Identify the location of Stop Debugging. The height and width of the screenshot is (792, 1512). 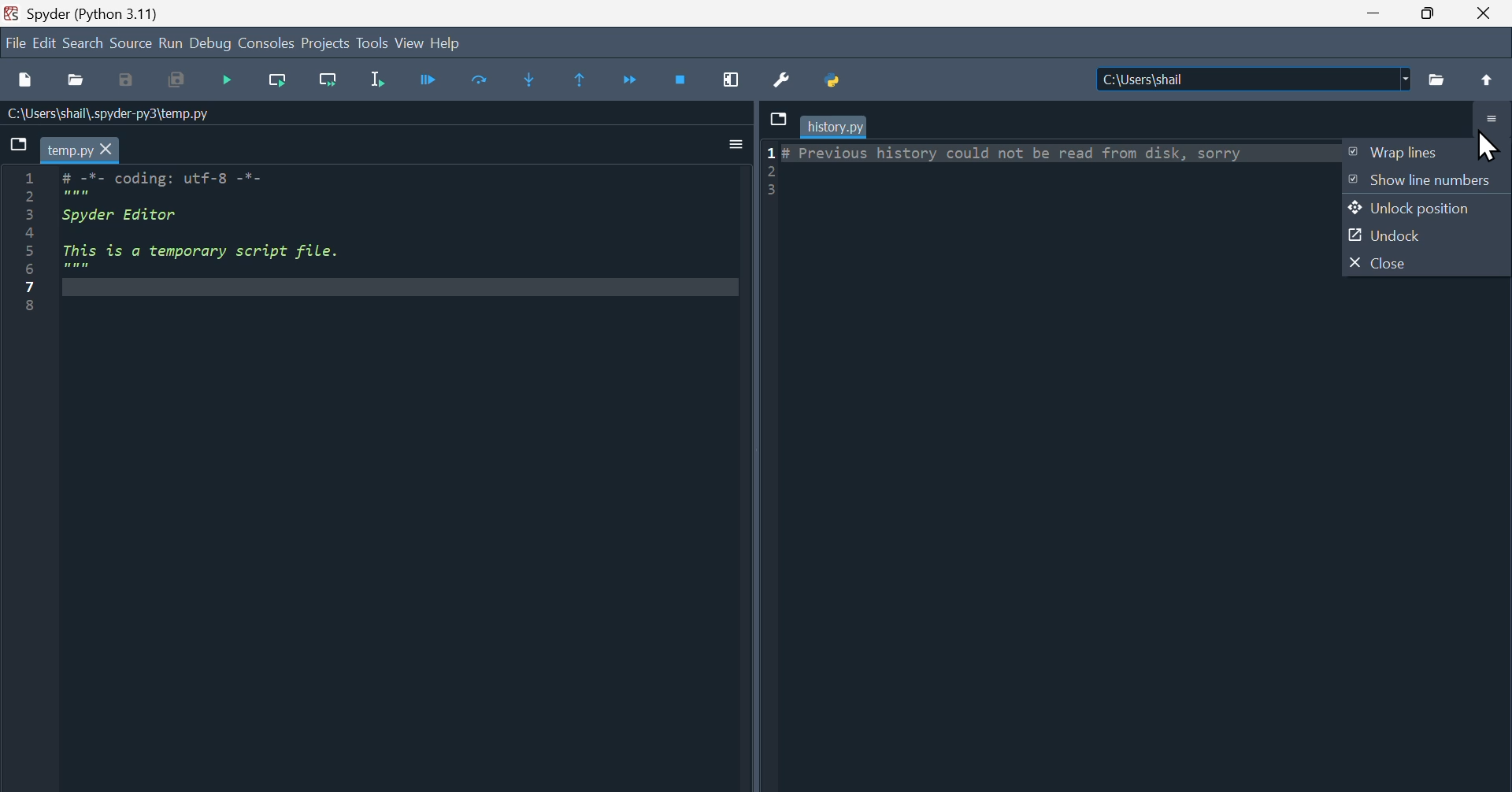
(684, 79).